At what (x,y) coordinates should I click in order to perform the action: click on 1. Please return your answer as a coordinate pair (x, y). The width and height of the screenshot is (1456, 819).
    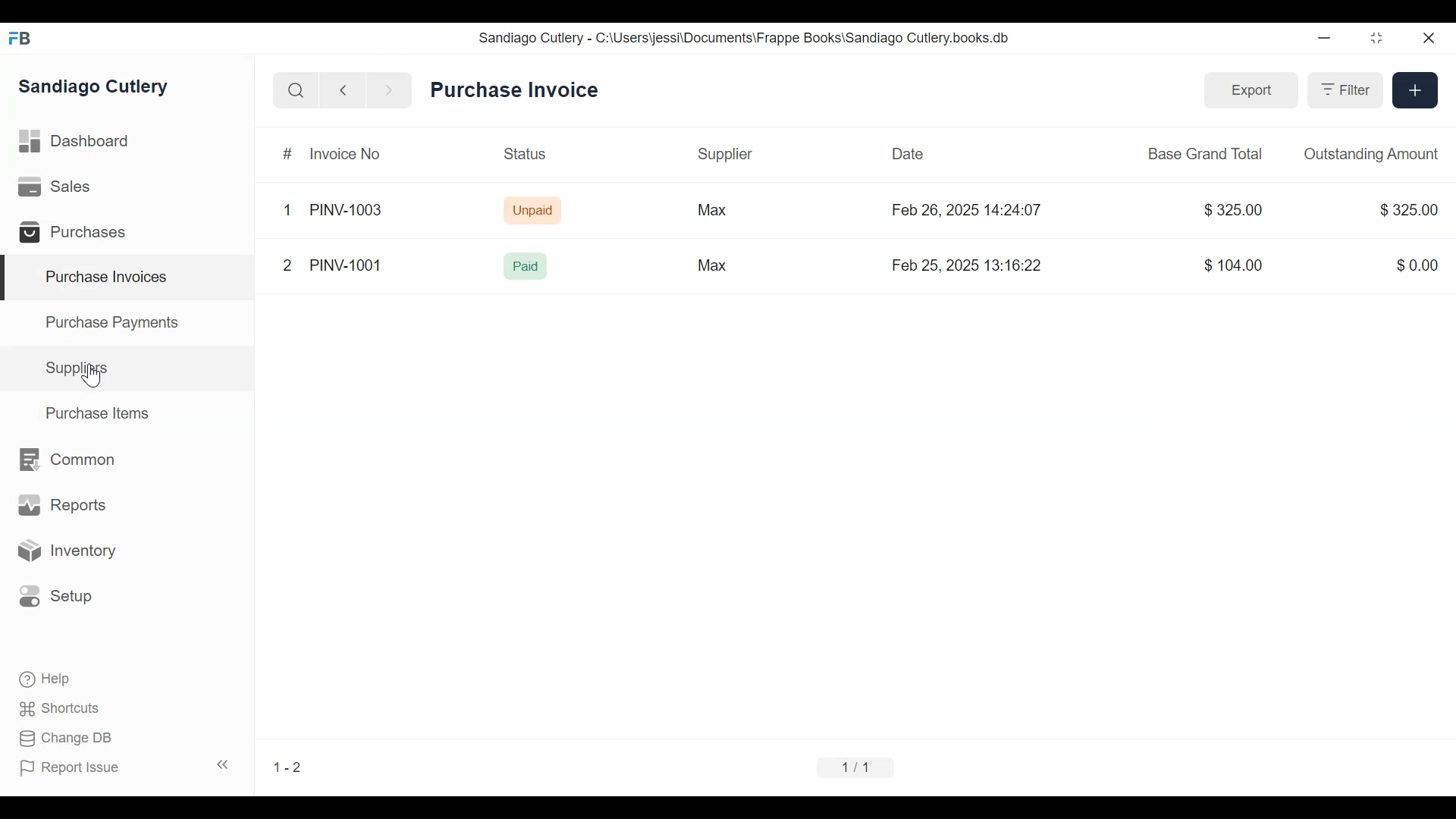
    Looking at the image, I should click on (287, 214).